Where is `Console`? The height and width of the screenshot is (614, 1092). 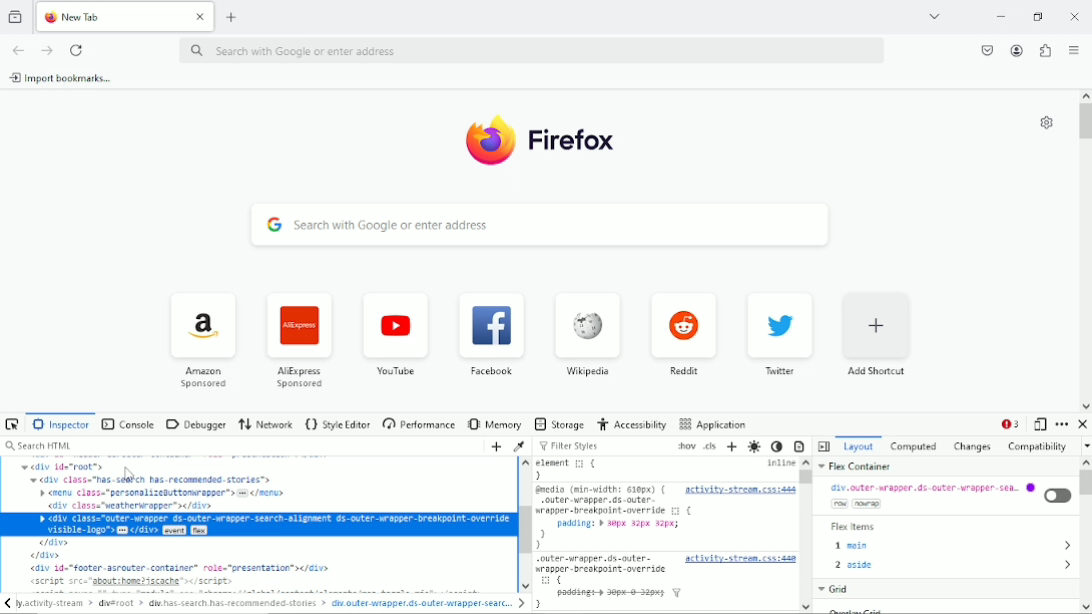 Console is located at coordinates (128, 424).